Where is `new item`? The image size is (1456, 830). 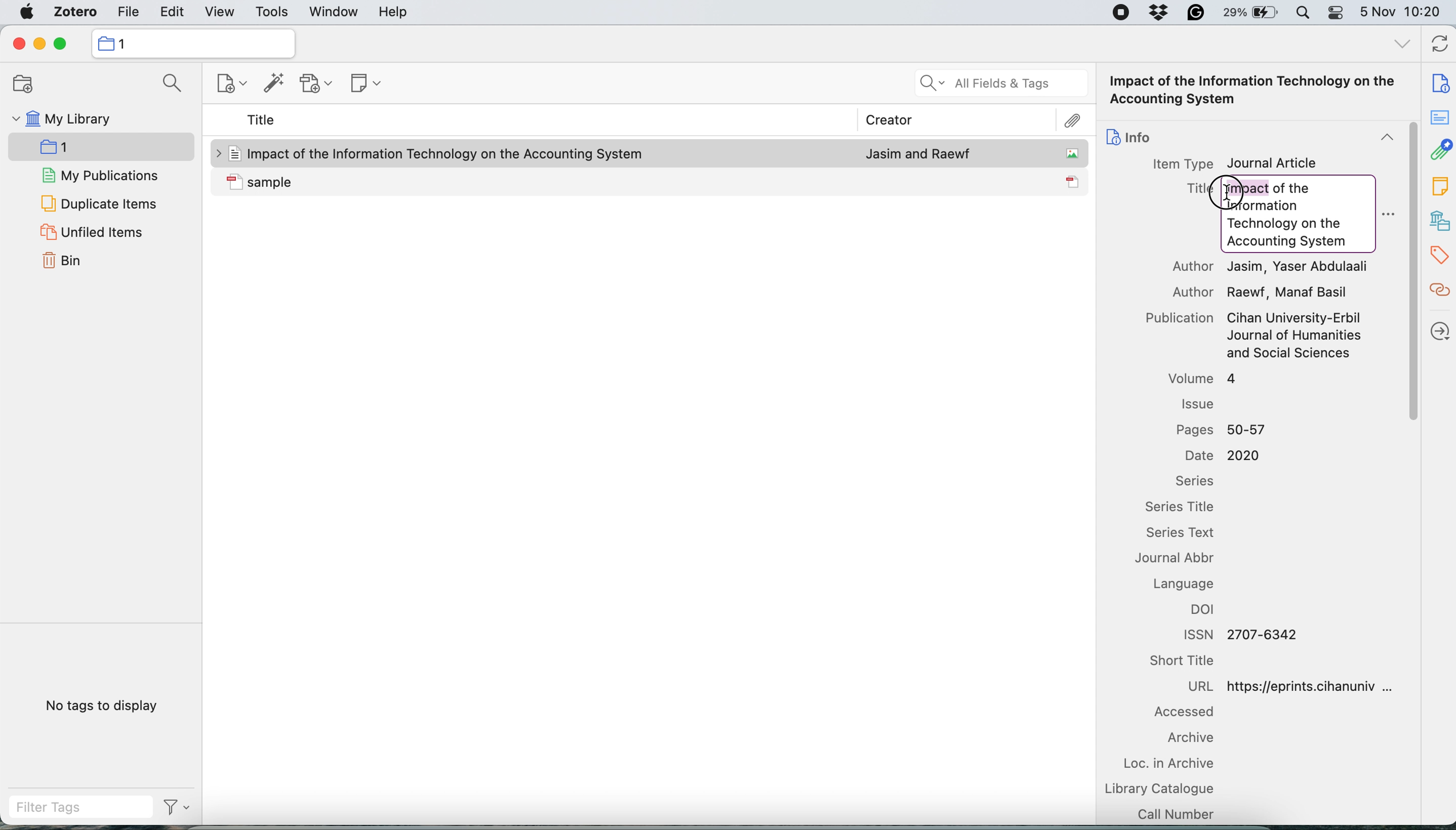
new item is located at coordinates (227, 83).